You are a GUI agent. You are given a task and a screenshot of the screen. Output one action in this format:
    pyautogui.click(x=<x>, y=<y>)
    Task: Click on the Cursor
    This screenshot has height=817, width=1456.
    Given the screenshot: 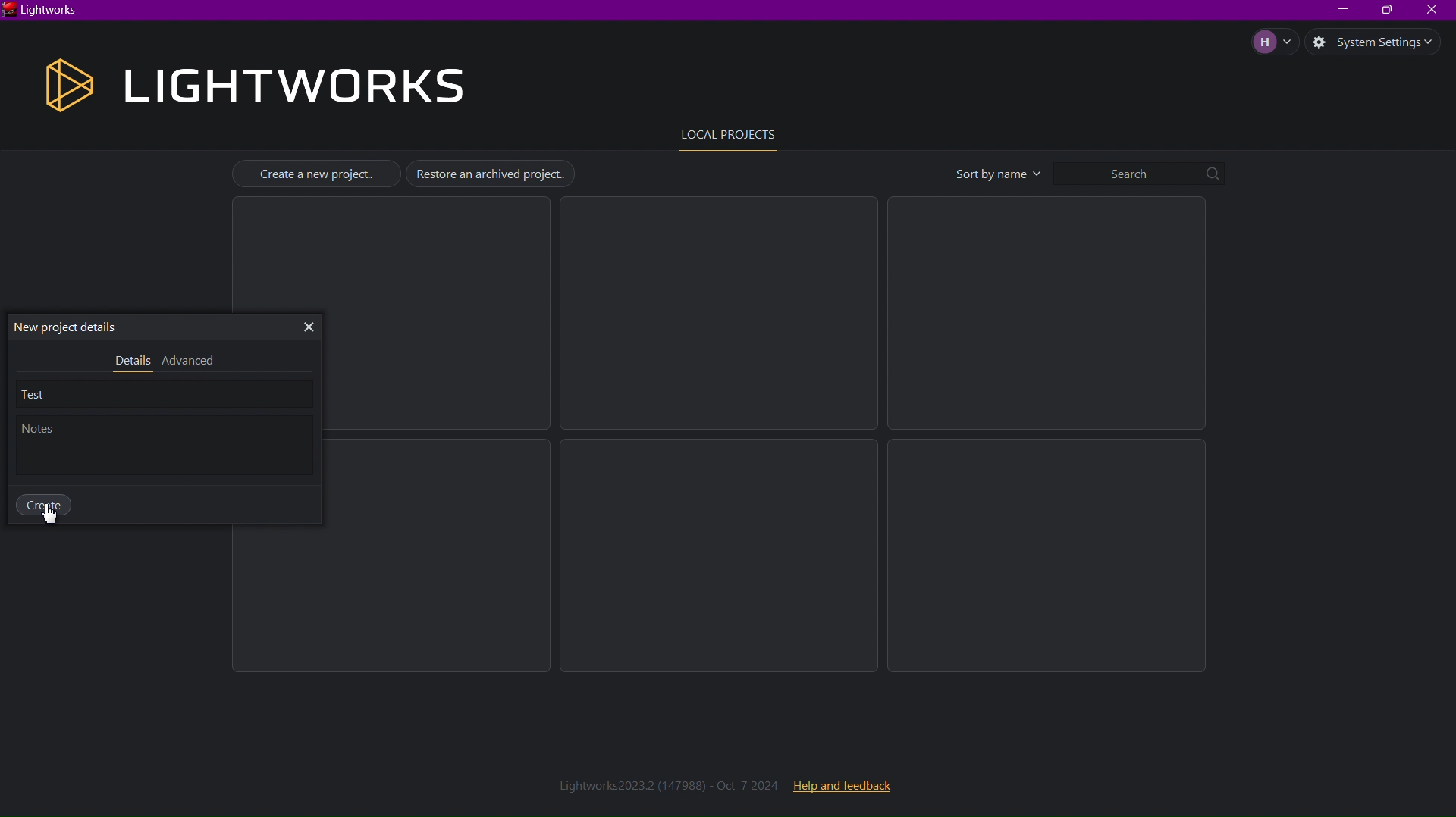 What is the action you would take?
    pyautogui.click(x=52, y=510)
    